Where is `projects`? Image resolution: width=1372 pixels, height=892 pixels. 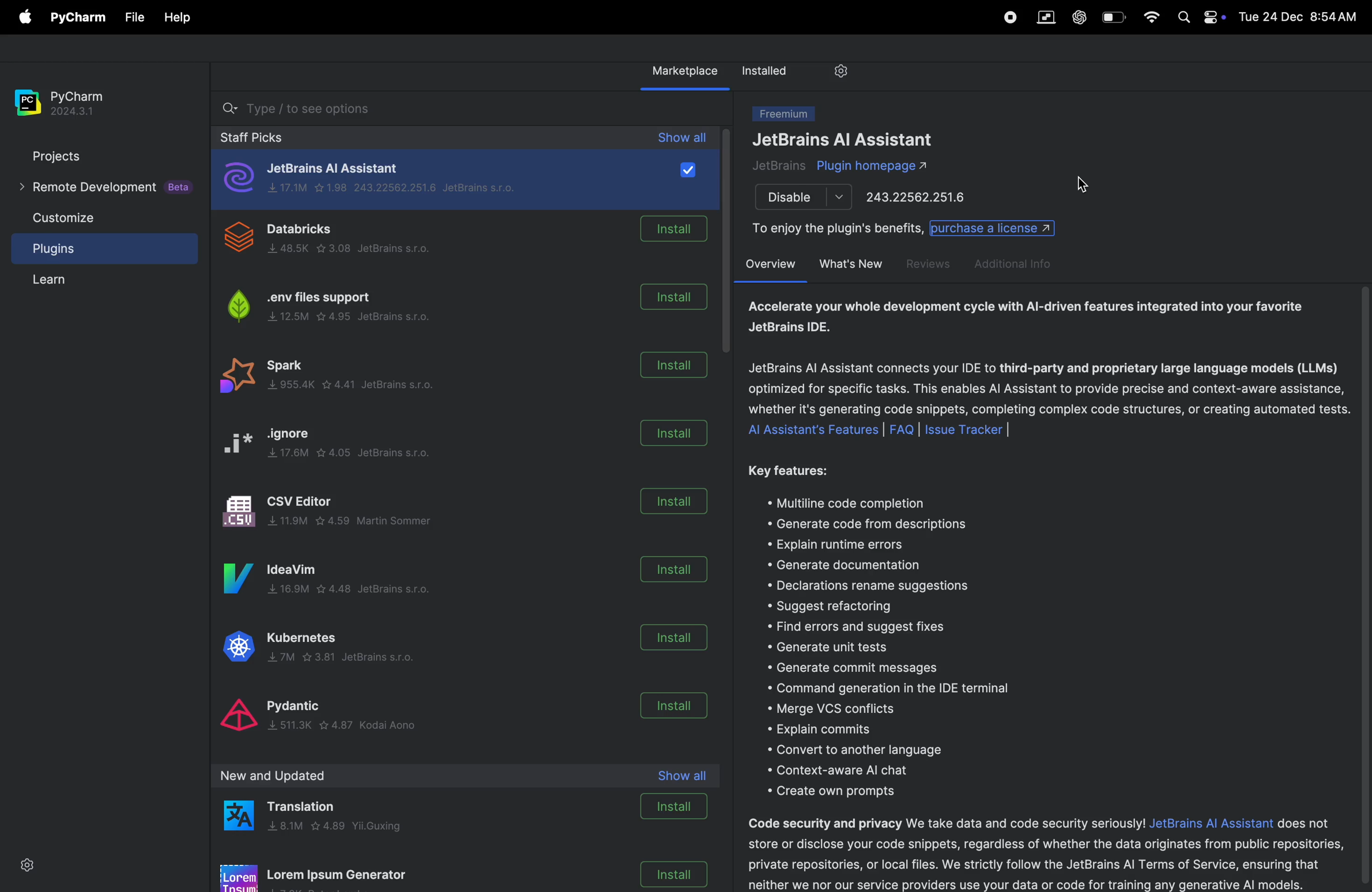
projects is located at coordinates (85, 157).